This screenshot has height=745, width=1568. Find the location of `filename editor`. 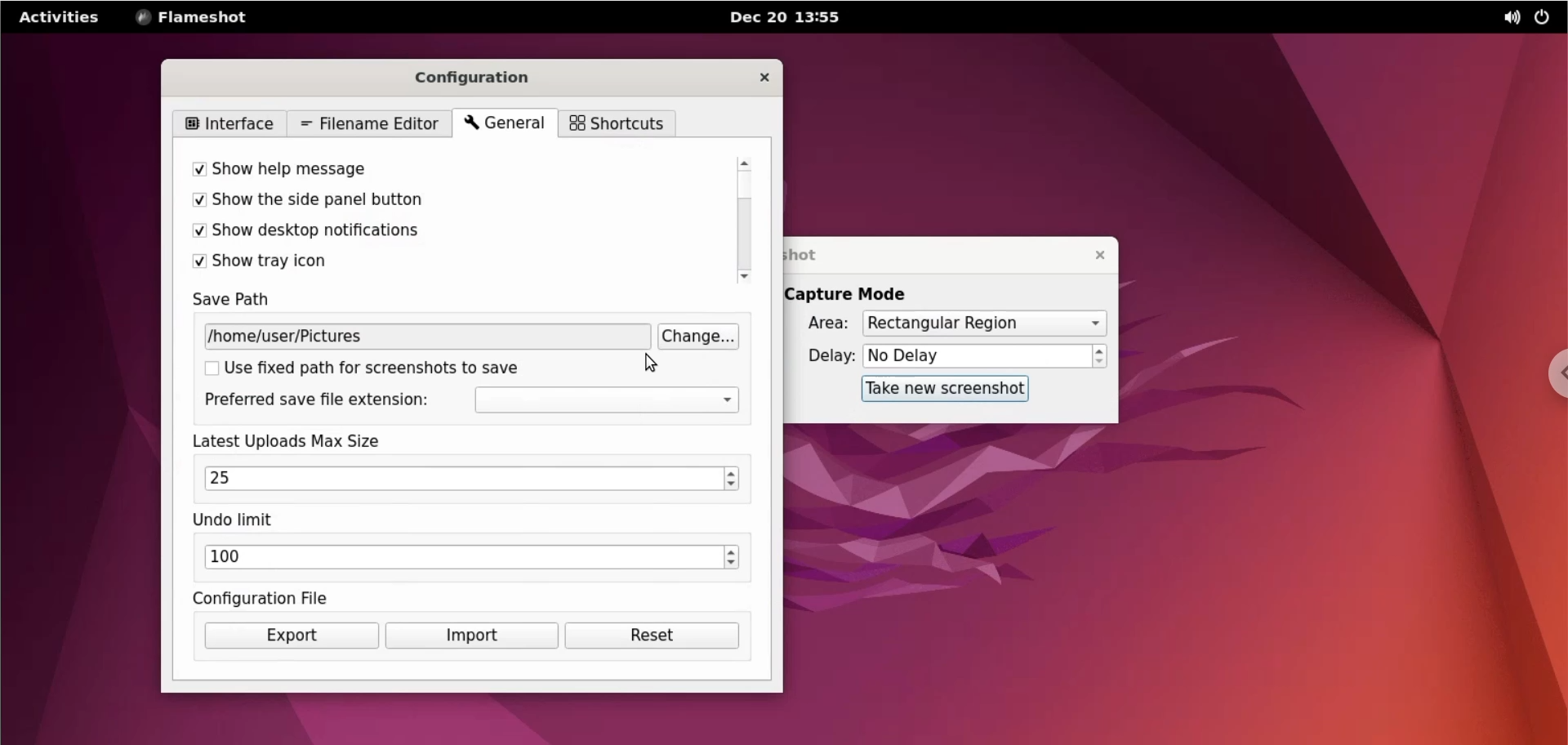

filename editor is located at coordinates (366, 123).